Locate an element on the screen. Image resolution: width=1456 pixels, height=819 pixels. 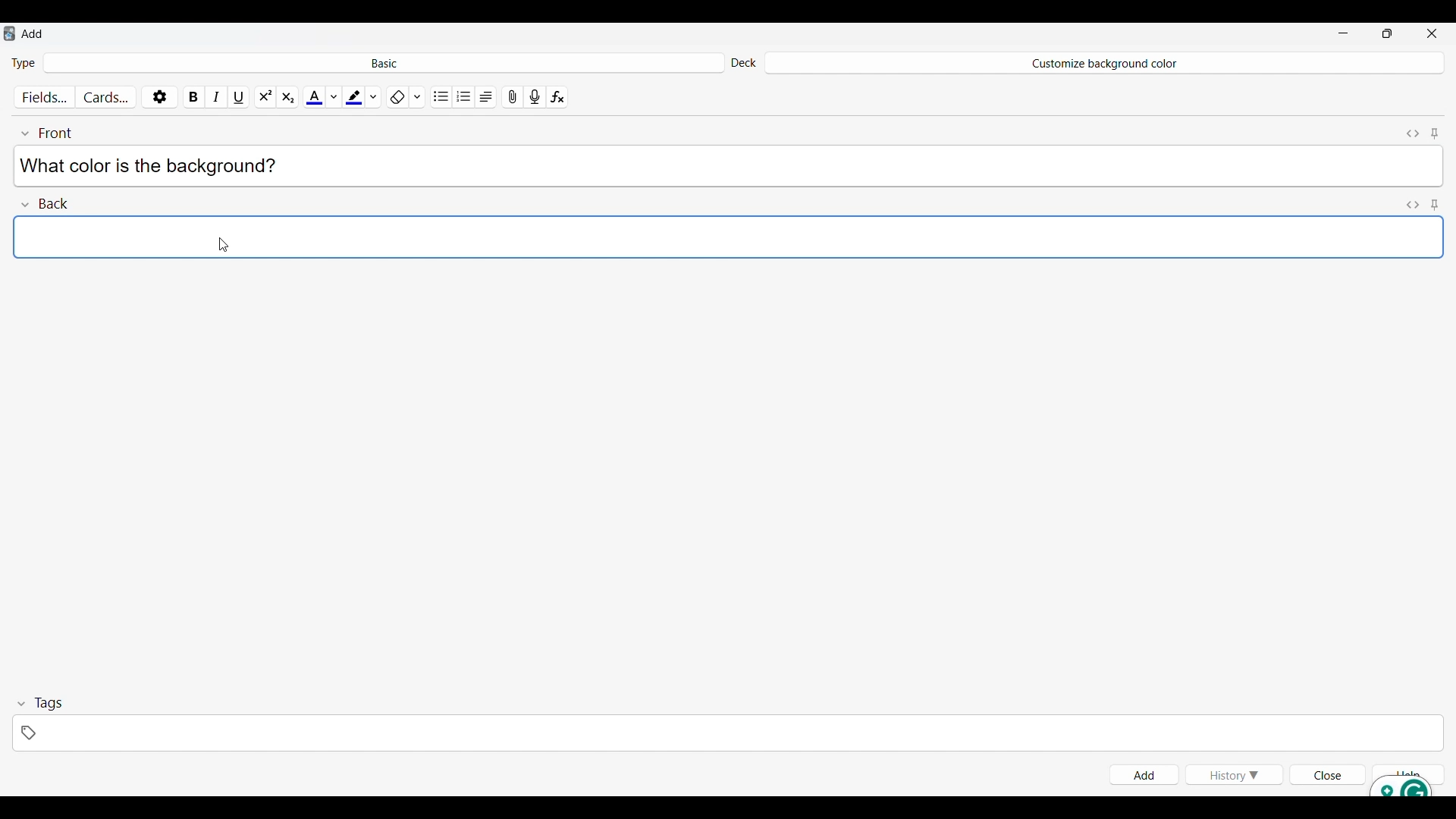
Record audio is located at coordinates (535, 95).